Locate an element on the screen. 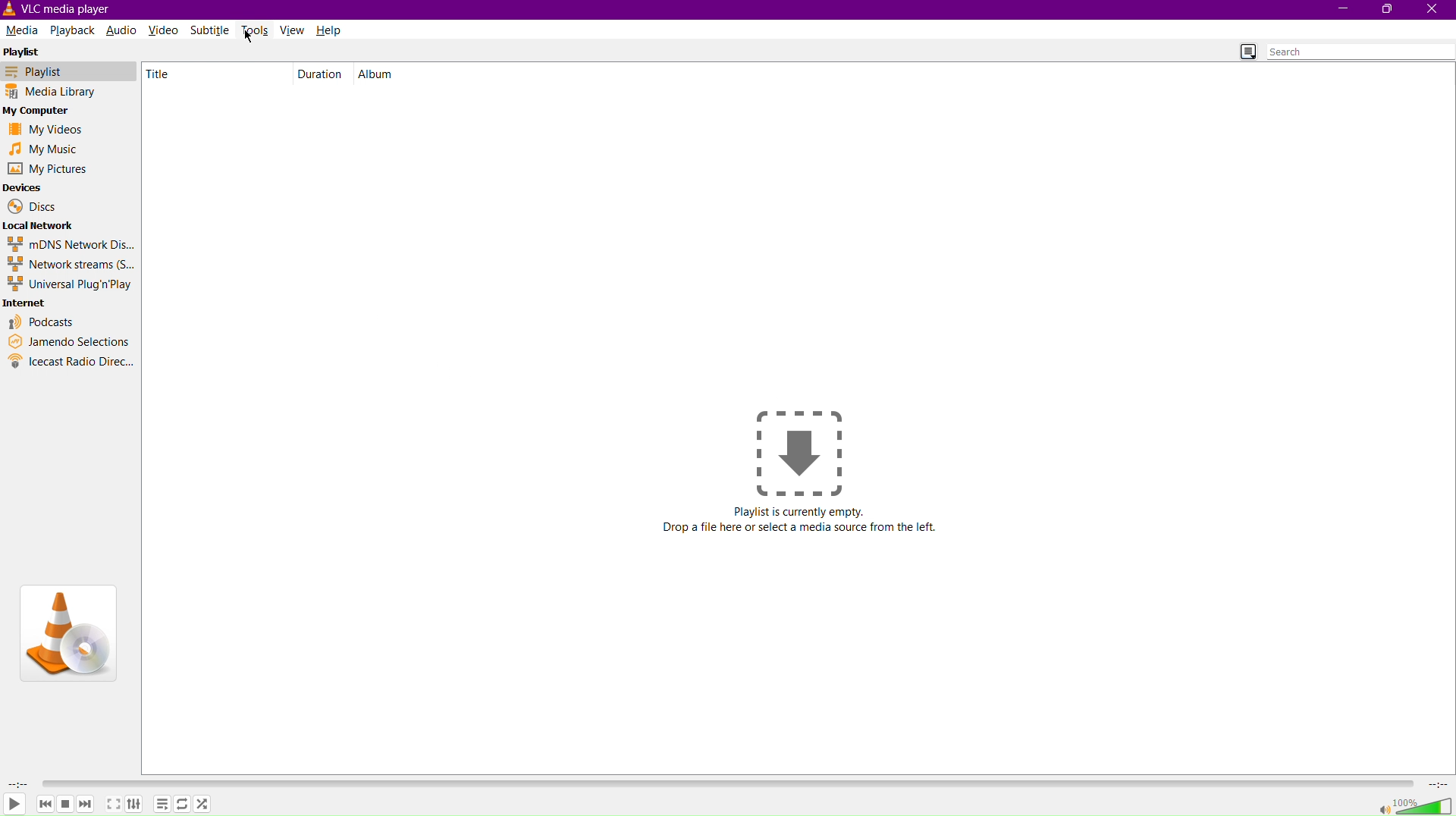 The height and width of the screenshot is (816, 1456). Drop a file here or select  media source from the left is located at coordinates (805, 528).